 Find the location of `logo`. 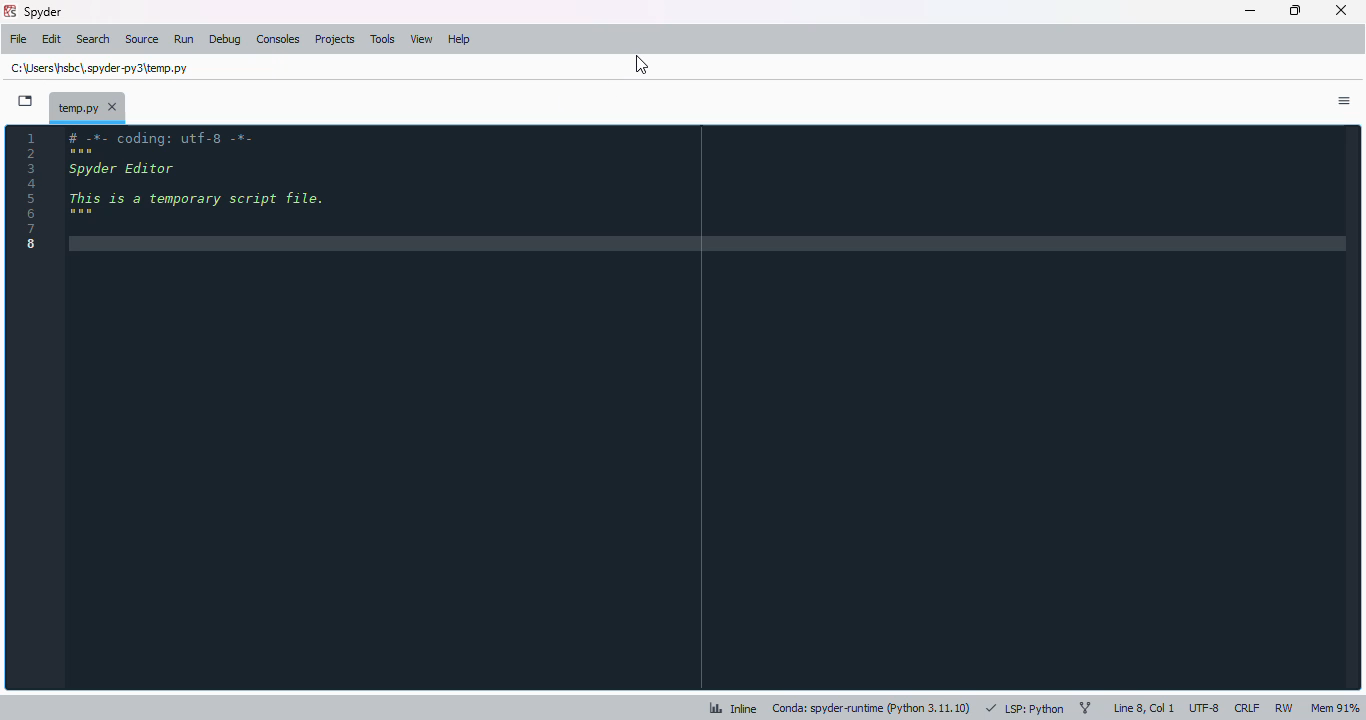

logo is located at coordinates (9, 11).